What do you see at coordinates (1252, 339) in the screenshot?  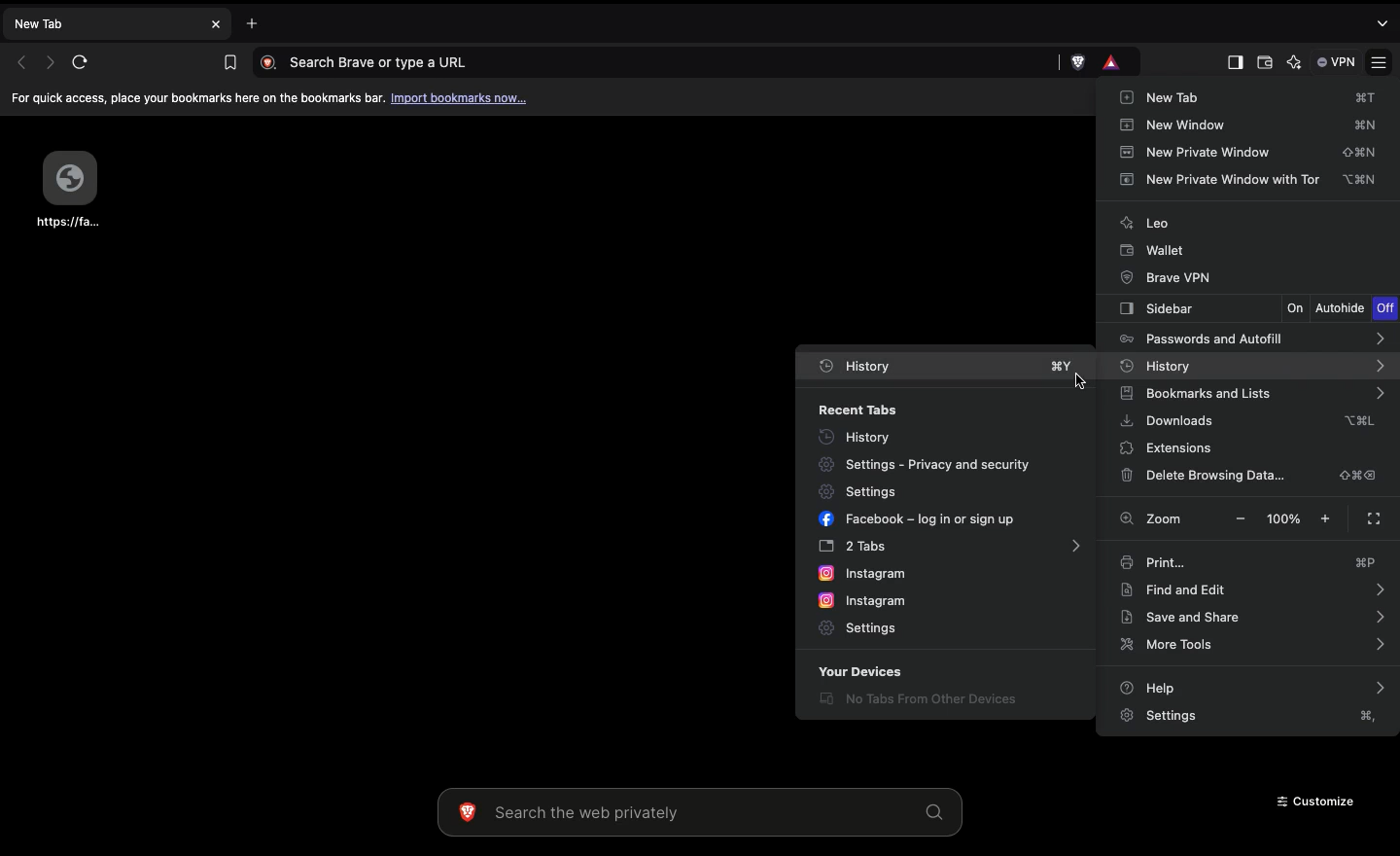 I see `Passwords and autofill` at bounding box center [1252, 339].